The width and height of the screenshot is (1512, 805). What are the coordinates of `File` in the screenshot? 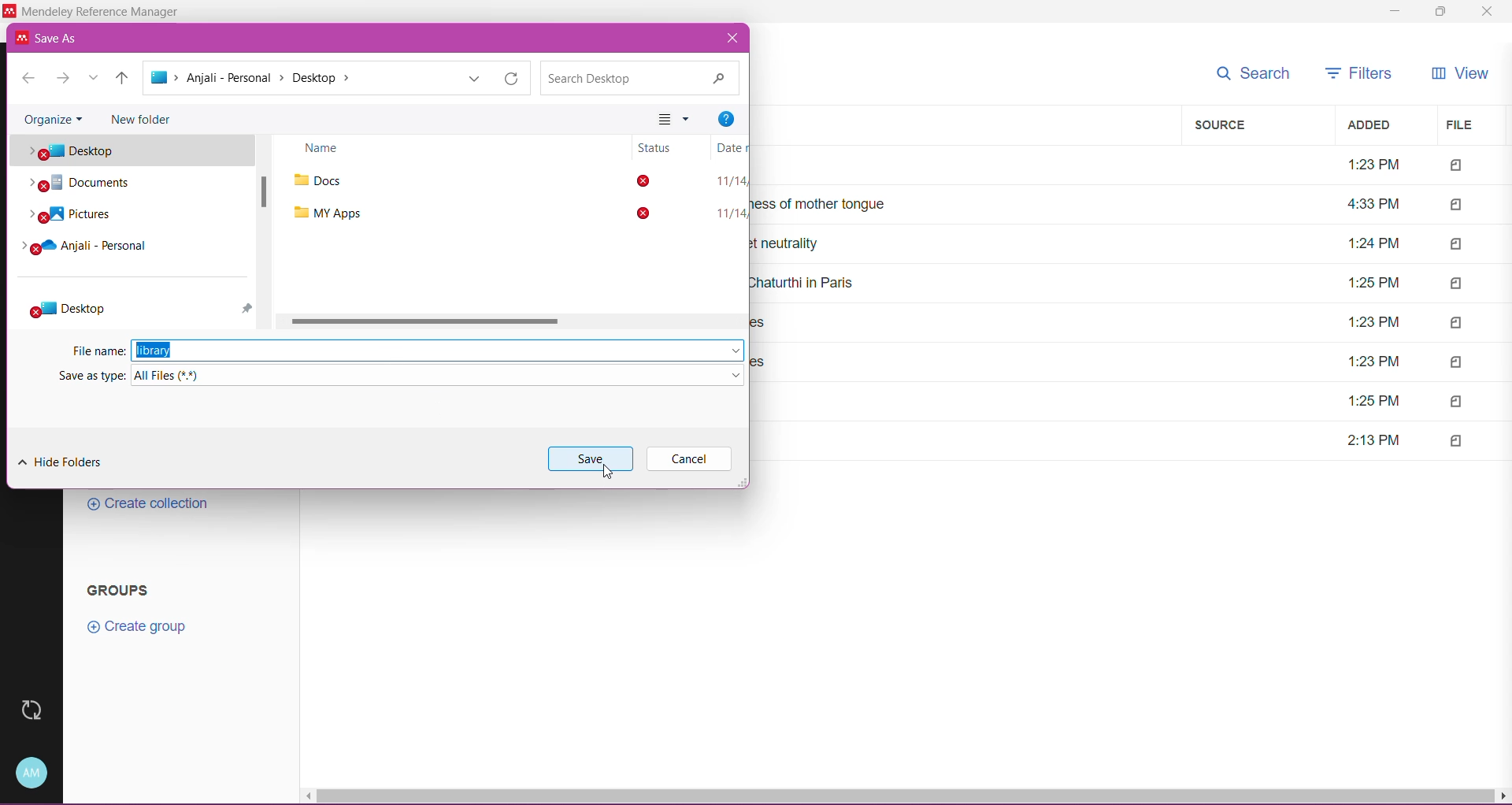 It's located at (1467, 126).